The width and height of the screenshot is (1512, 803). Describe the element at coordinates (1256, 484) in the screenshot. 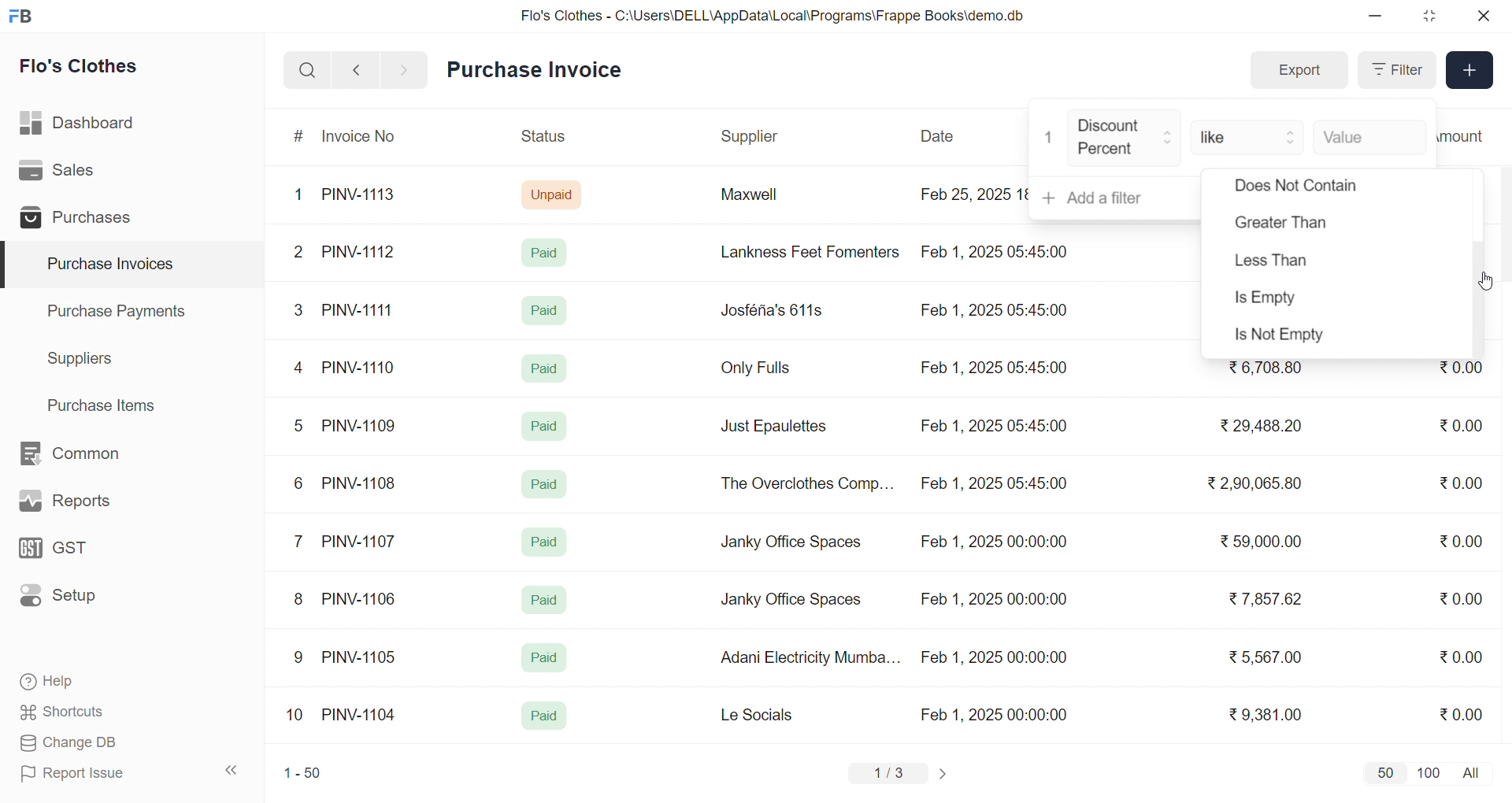

I see `₹ 2,90,065.80` at that location.